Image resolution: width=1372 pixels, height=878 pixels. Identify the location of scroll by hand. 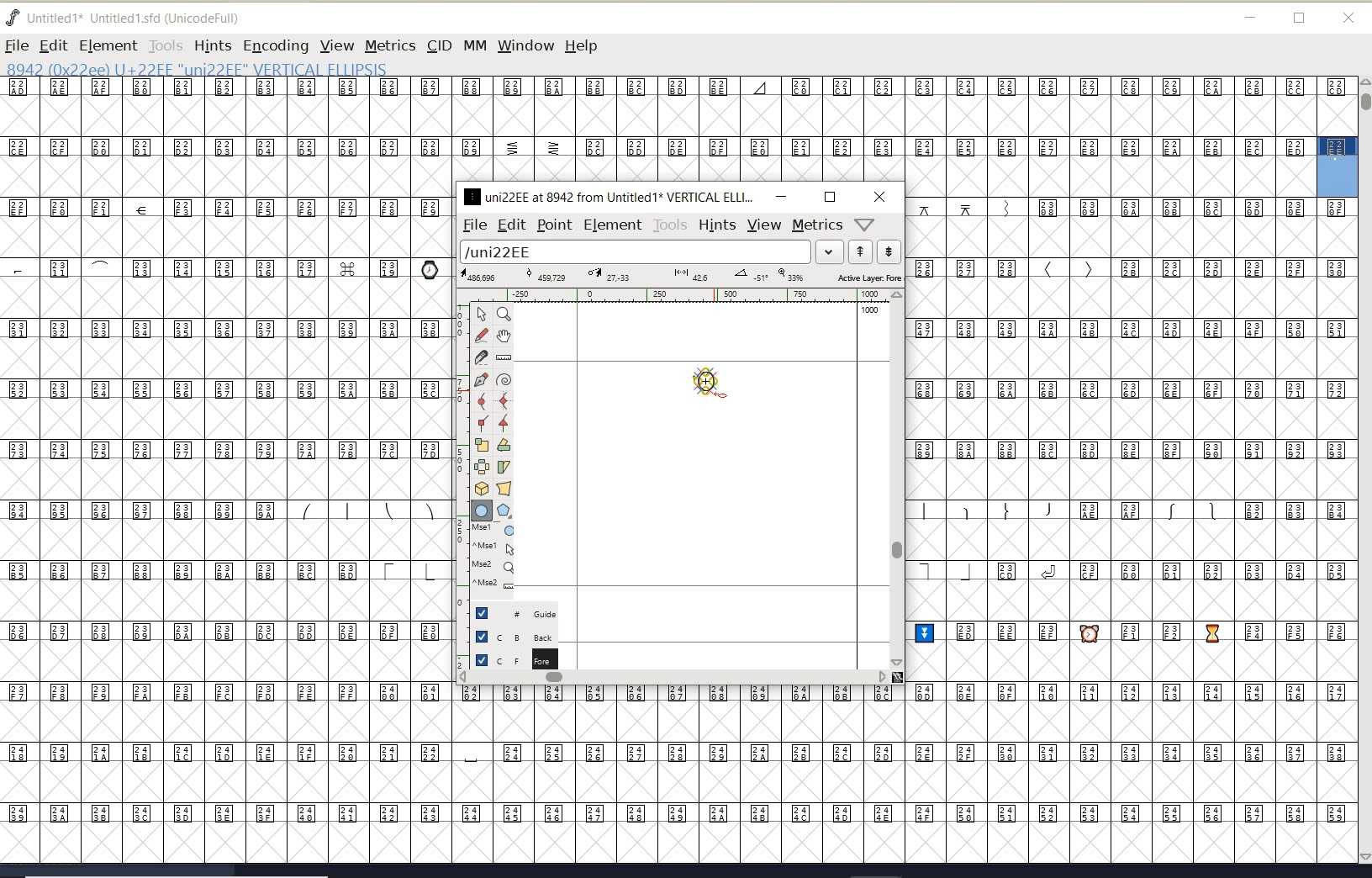
(504, 337).